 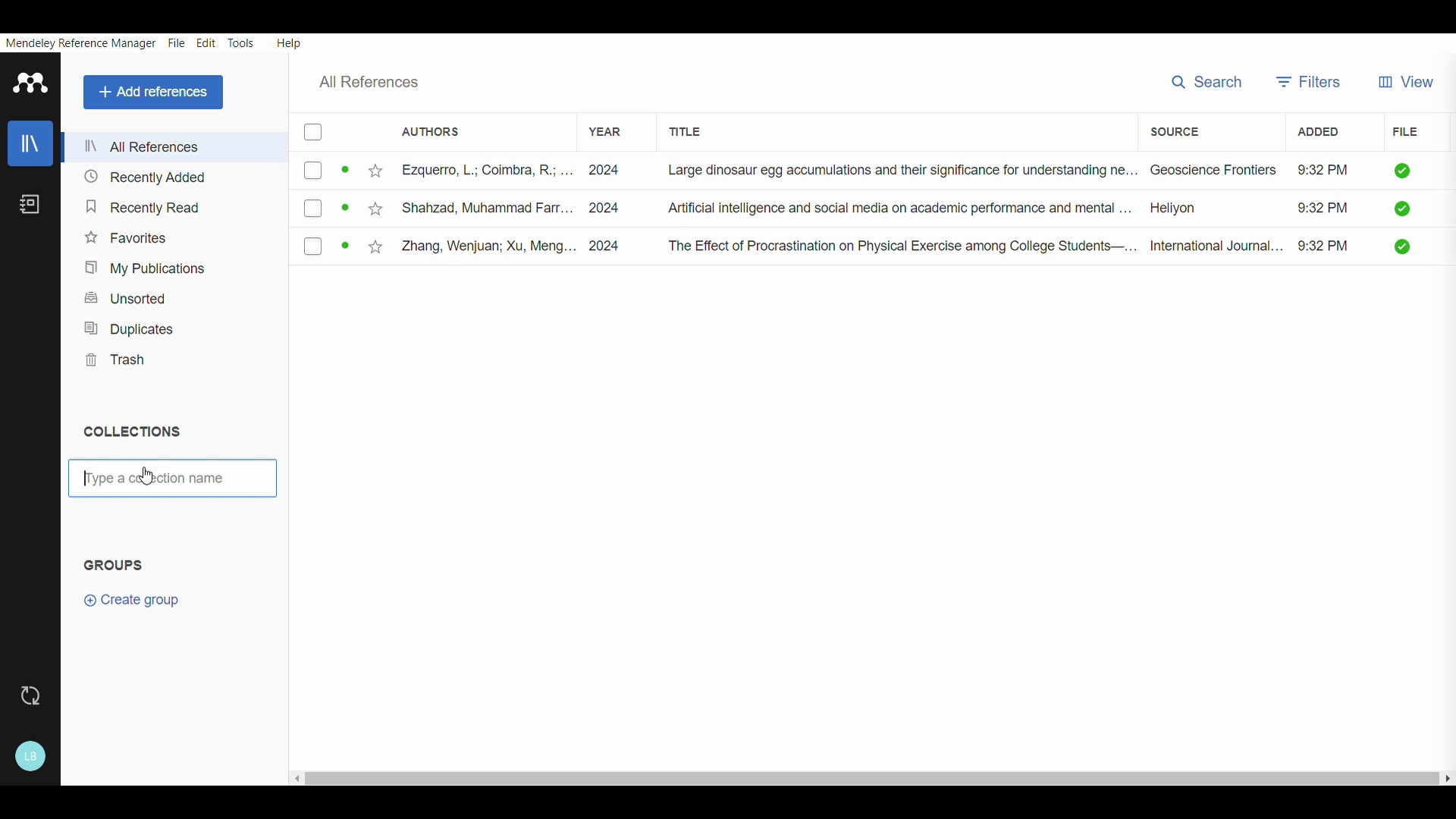 I want to click on 2024, so click(x=612, y=245).